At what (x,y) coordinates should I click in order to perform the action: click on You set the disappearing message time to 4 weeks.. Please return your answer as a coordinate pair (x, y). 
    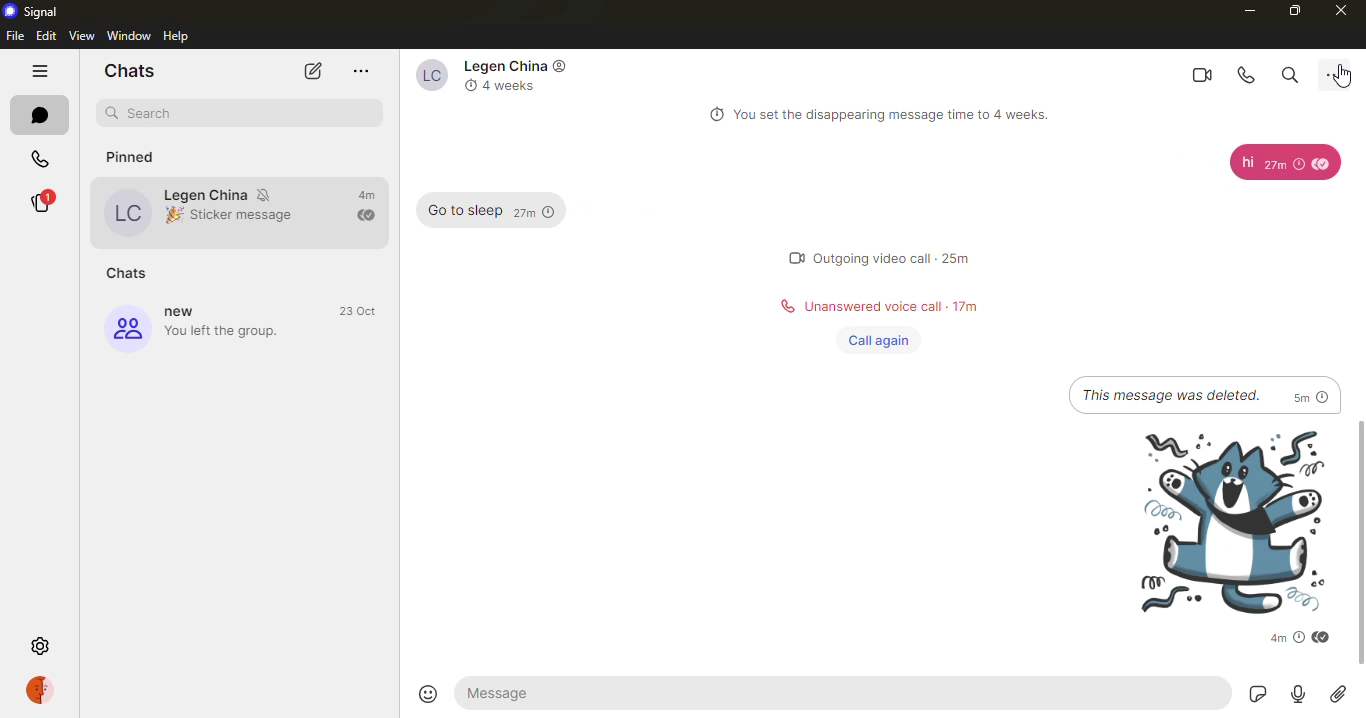
    Looking at the image, I should click on (900, 115).